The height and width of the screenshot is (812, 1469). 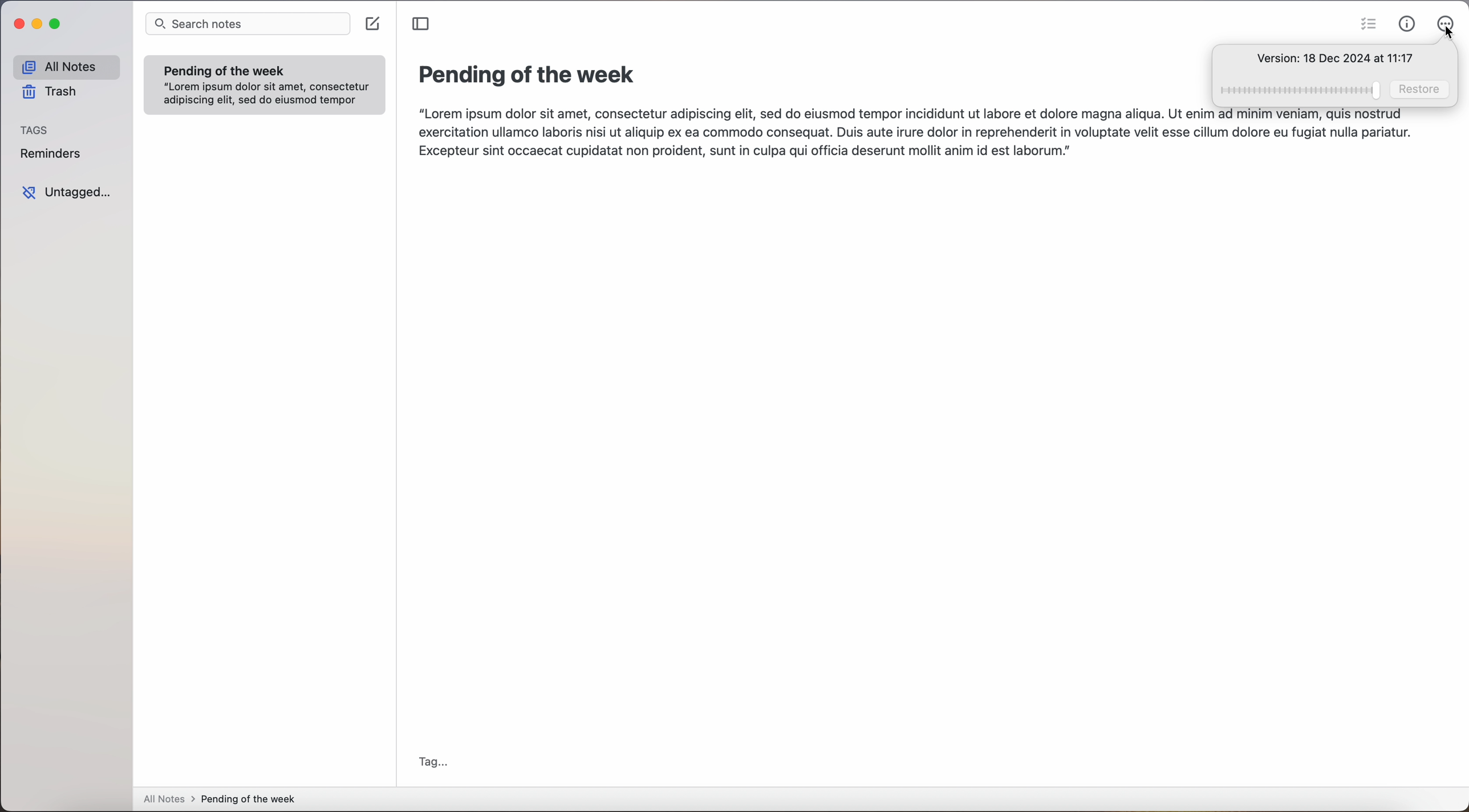 I want to click on disable restore, so click(x=1338, y=90).